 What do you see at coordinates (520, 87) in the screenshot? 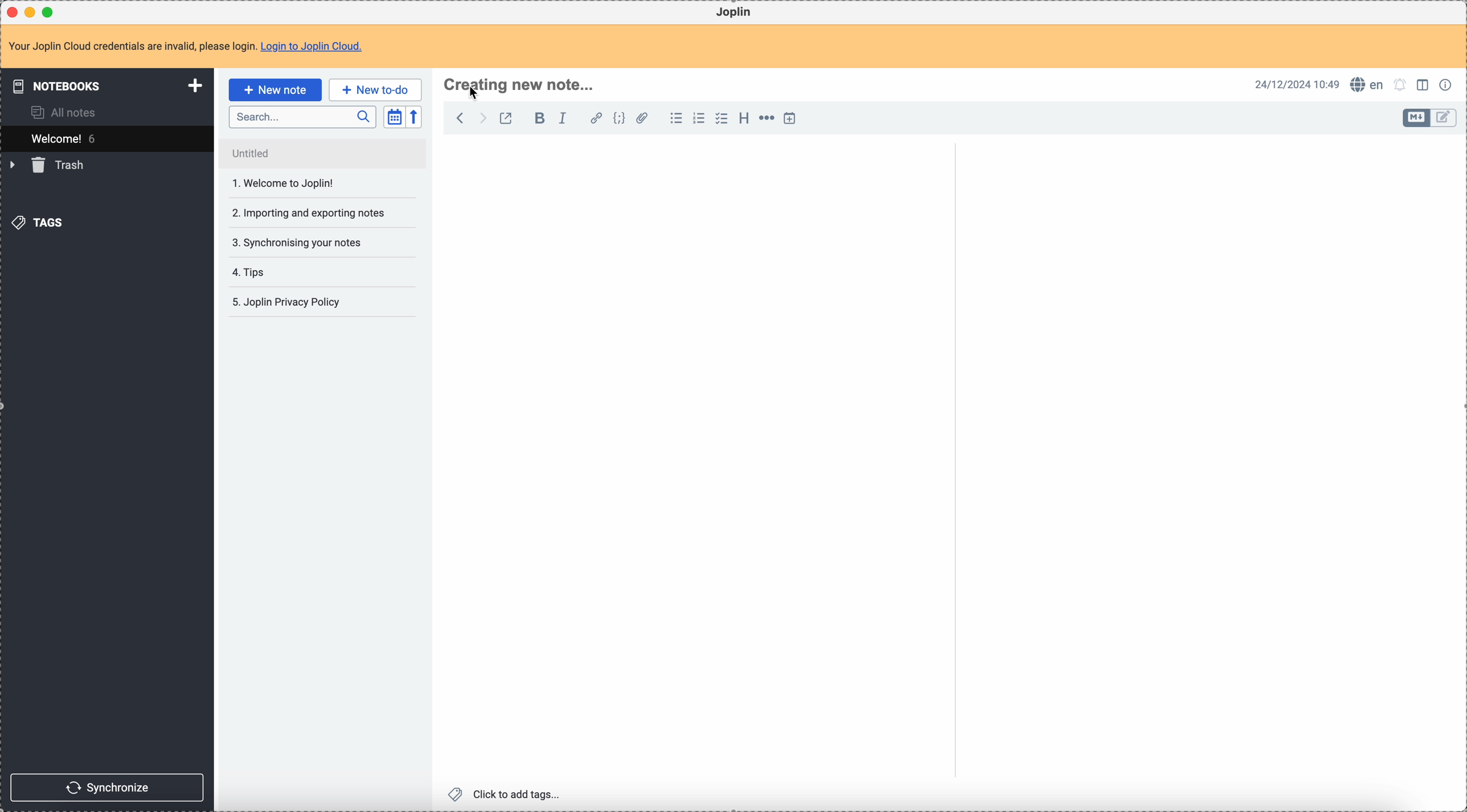
I see `click on title` at bounding box center [520, 87].